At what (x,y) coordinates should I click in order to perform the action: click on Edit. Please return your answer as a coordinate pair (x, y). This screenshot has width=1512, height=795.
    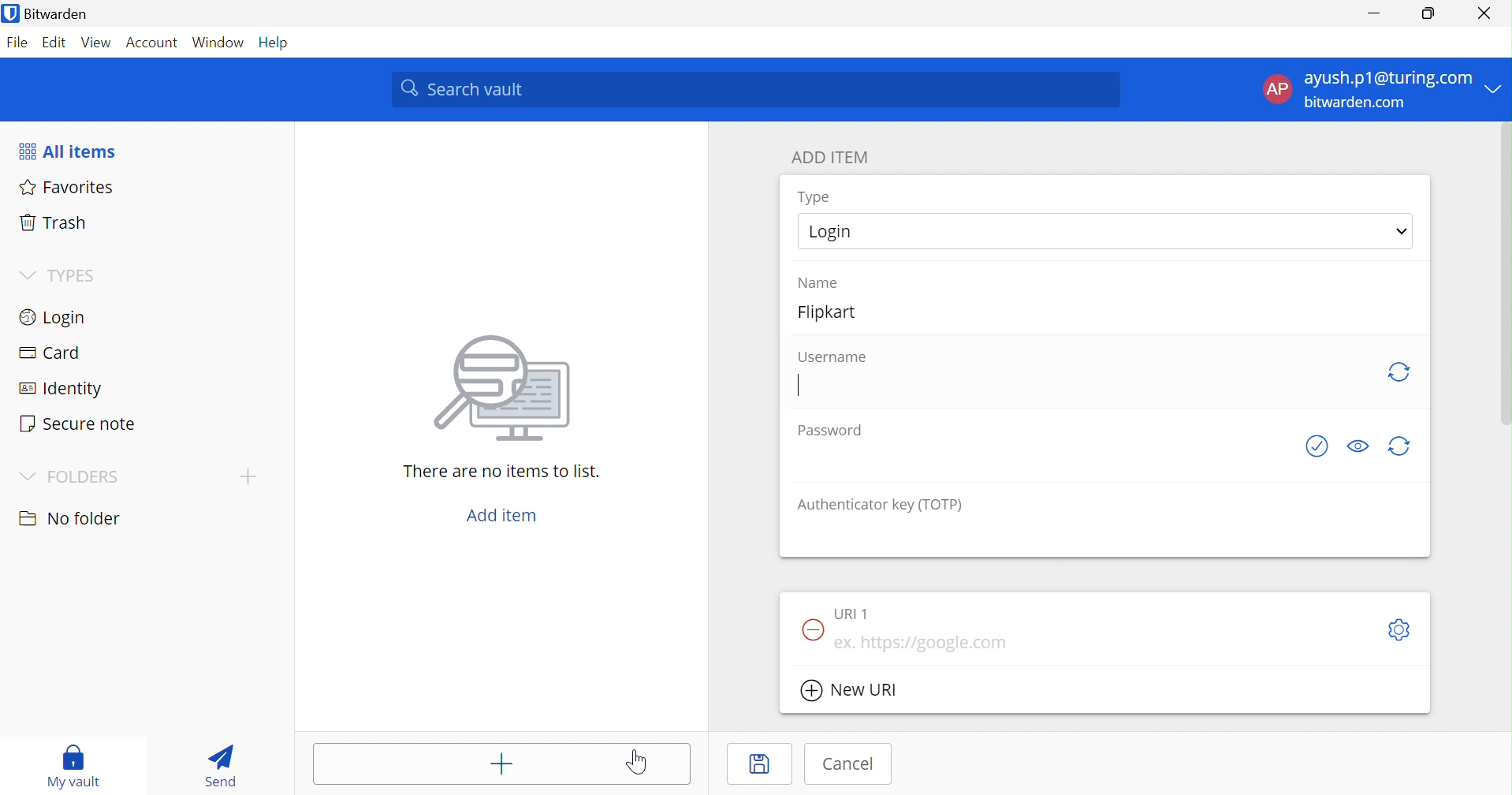
    Looking at the image, I should click on (51, 42).